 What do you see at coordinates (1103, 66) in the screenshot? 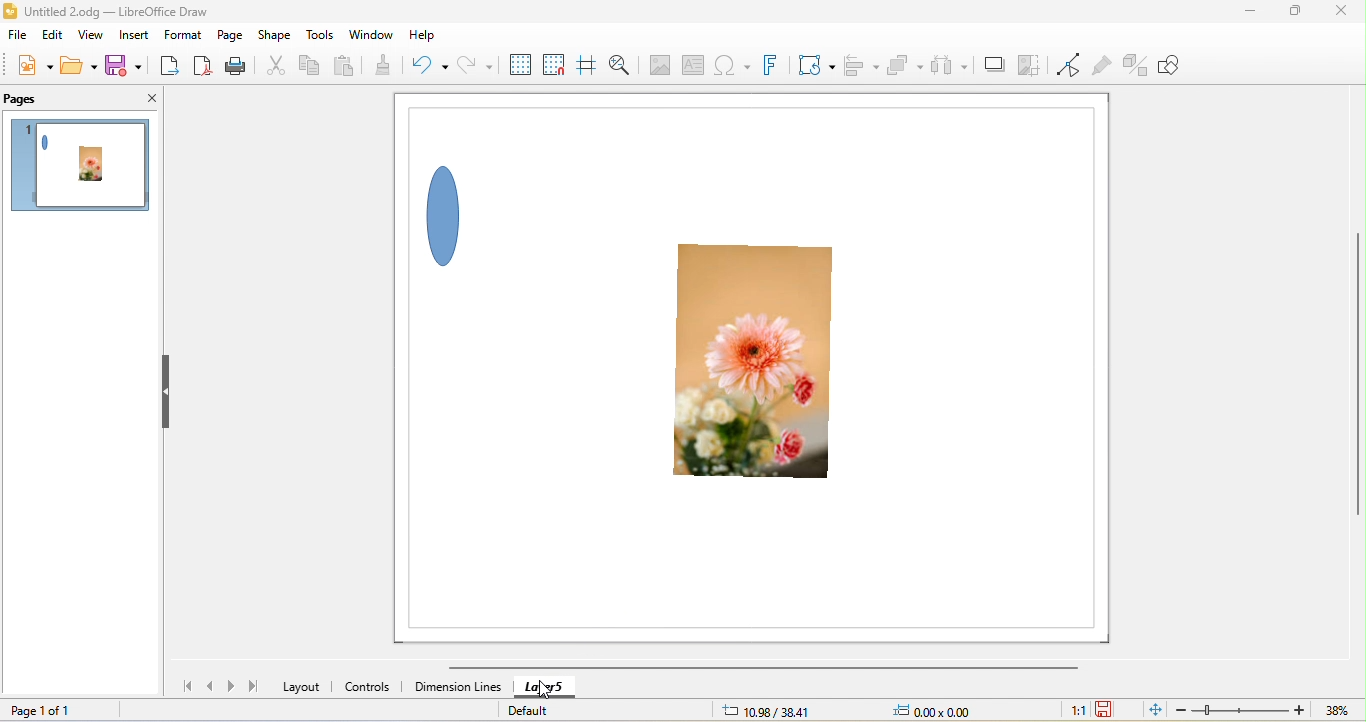
I see `show gluepoint` at bounding box center [1103, 66].